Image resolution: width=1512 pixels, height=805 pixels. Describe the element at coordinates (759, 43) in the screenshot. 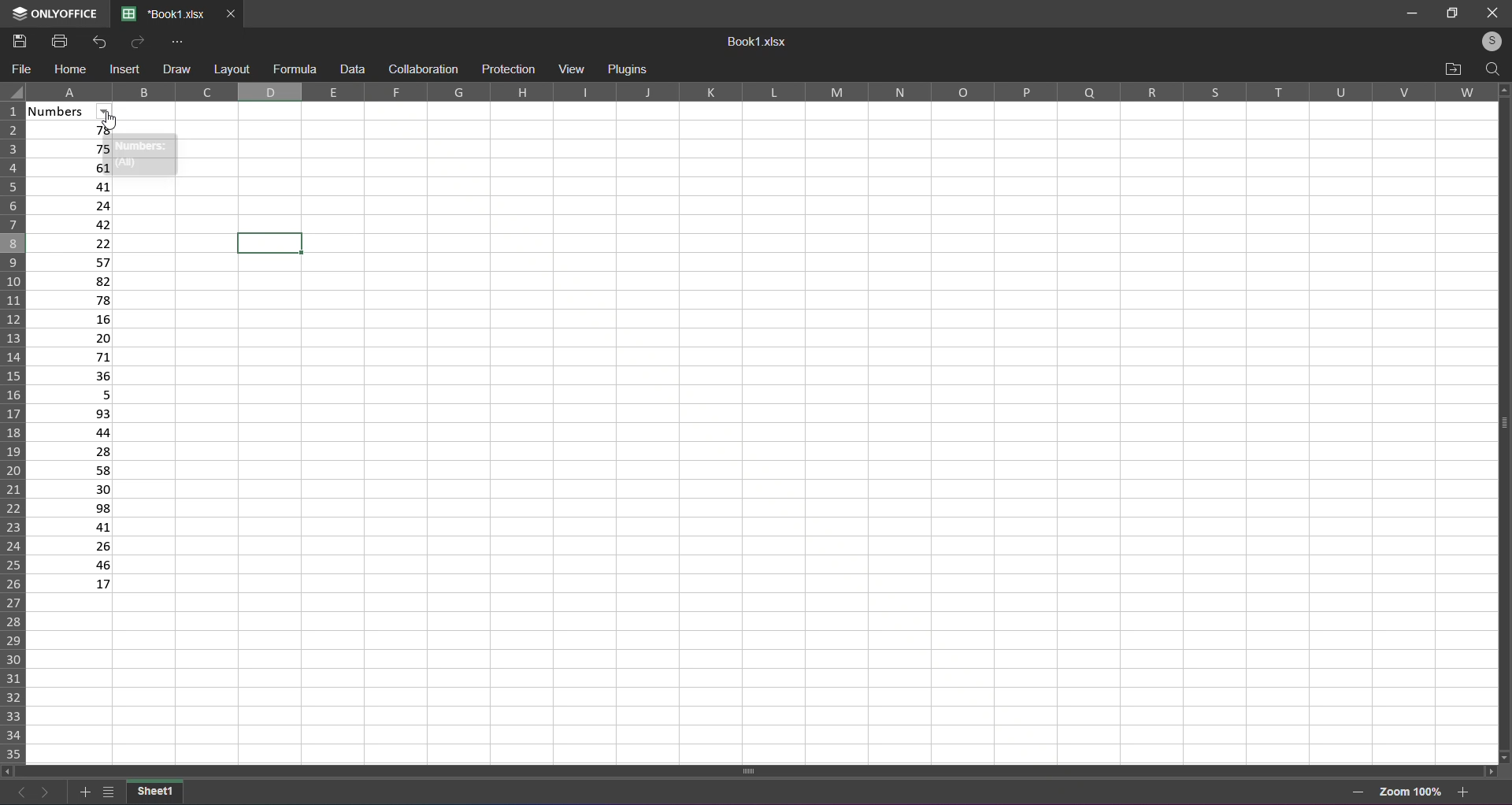

I see `Book1.xlsx` at that location.